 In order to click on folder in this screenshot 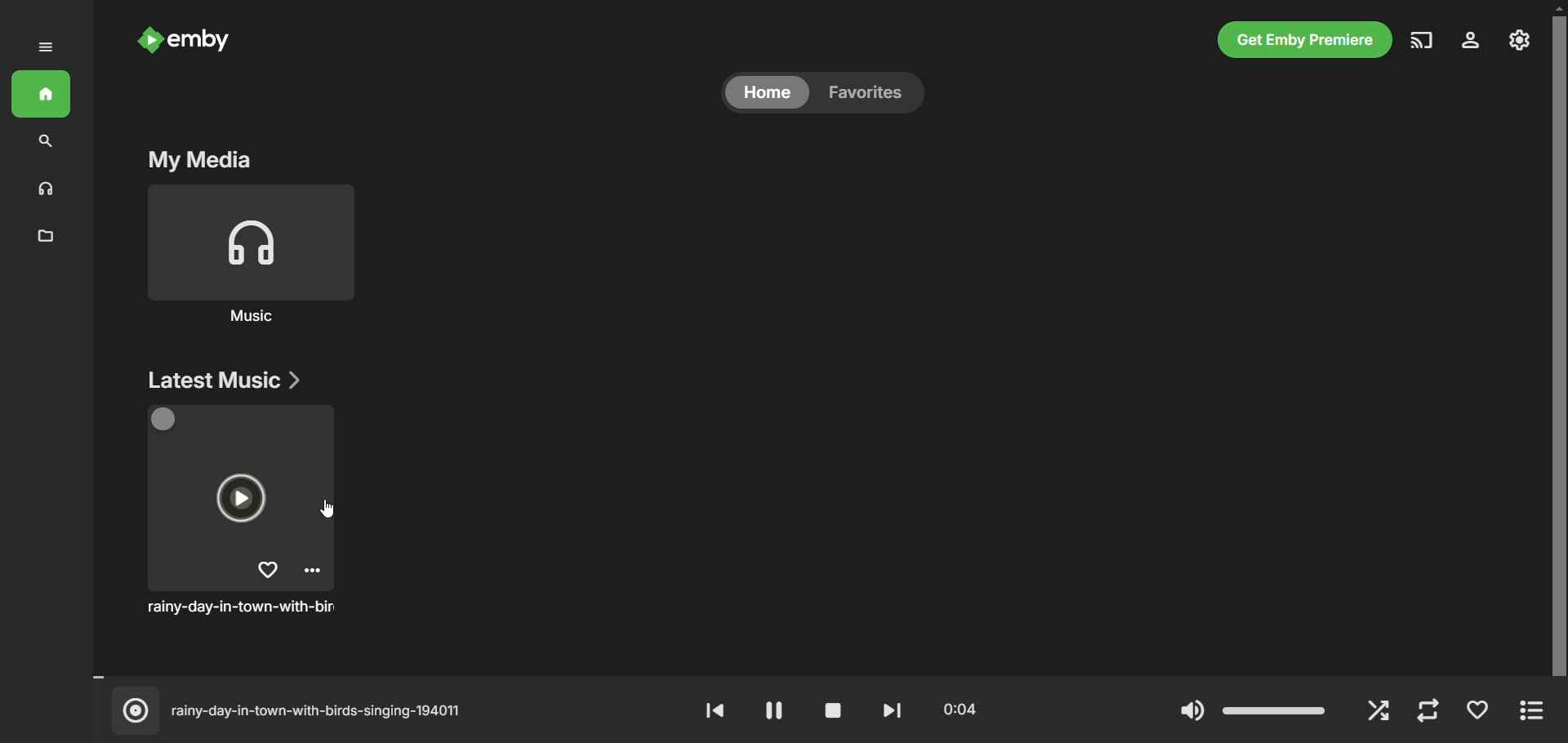, I will do `click(48, 236)`.